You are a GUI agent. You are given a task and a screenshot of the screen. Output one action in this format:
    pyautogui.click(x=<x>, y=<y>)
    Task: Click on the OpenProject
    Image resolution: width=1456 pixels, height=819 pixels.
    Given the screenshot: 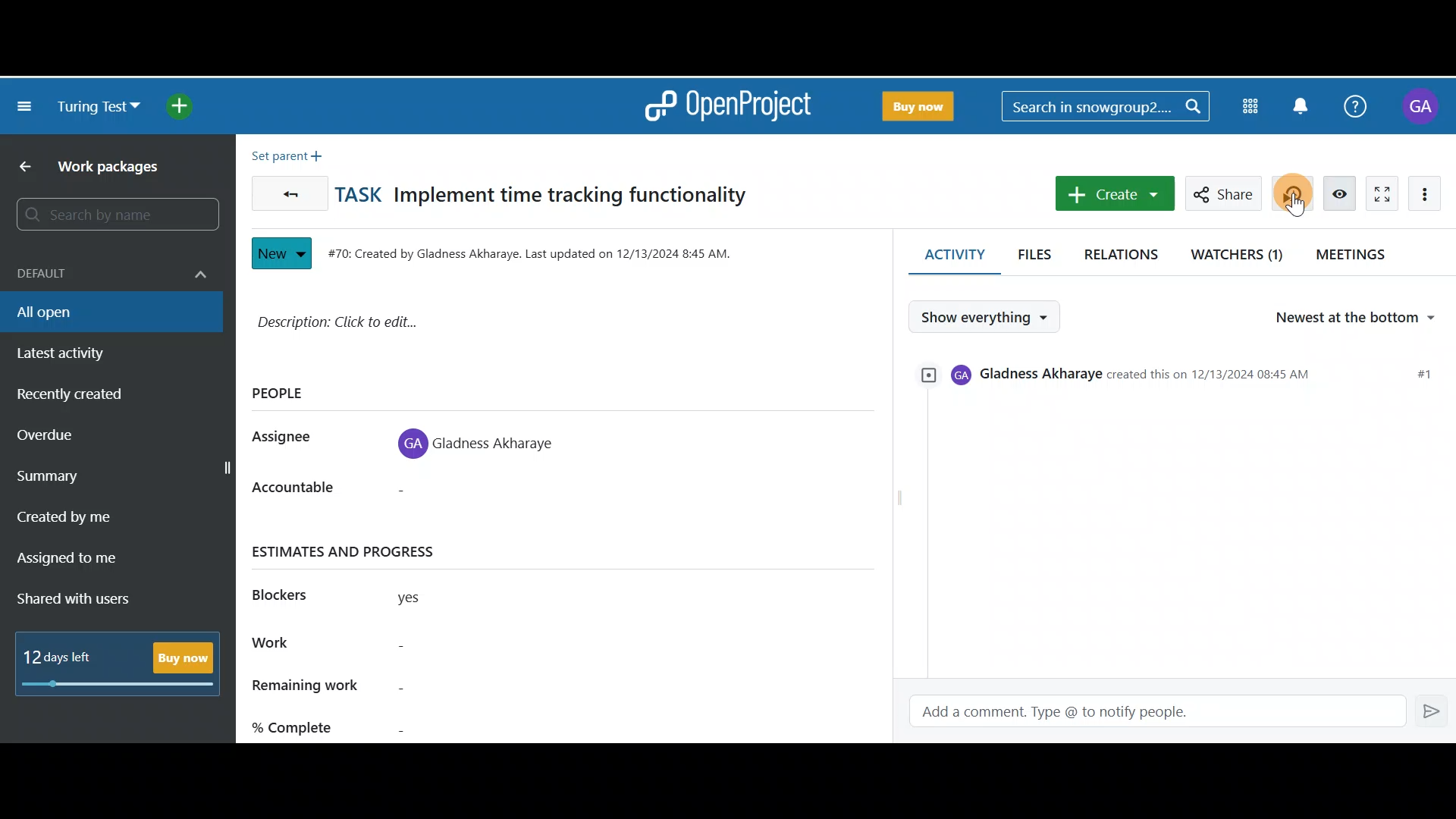 What is the action you would take?
    pyautogui.click(x=727, y=106)
    